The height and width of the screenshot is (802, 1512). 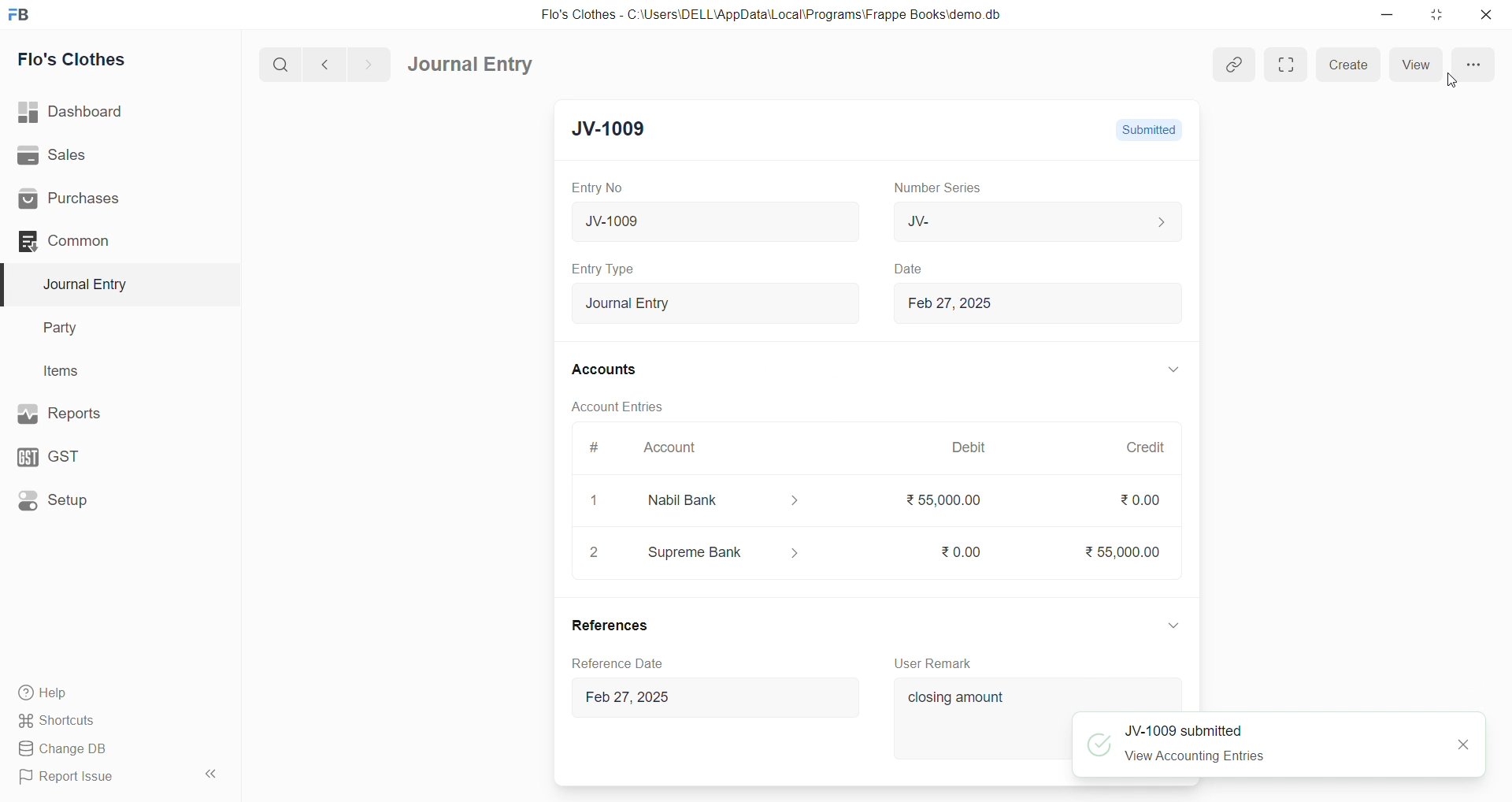 What do you see at coordinates (940, 503) in the screenshot?
I see `₹55000.00` at bounding box center [940, 503].